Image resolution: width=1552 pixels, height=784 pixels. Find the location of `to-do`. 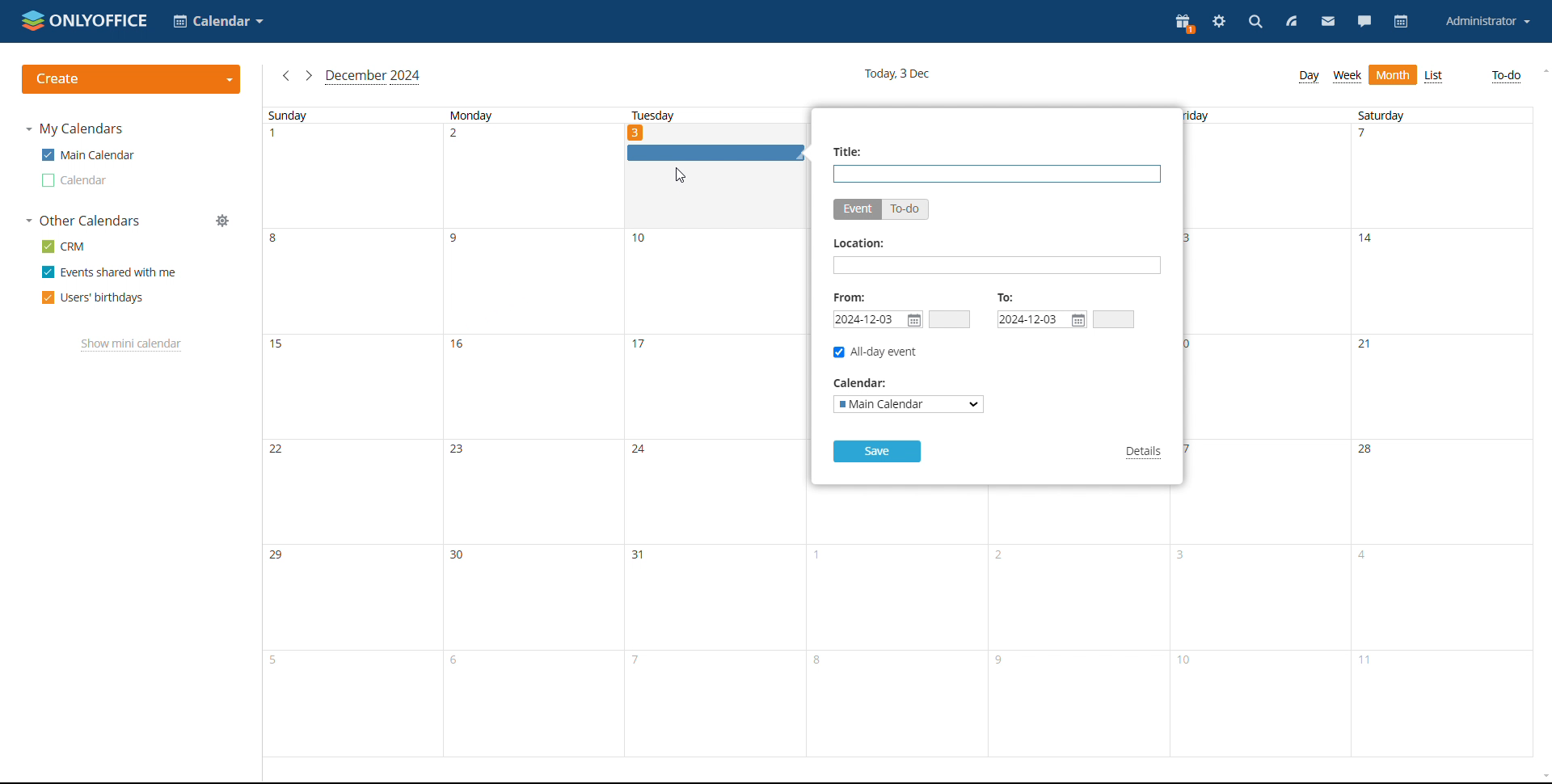

to-do is located at coordinates (906, 209).